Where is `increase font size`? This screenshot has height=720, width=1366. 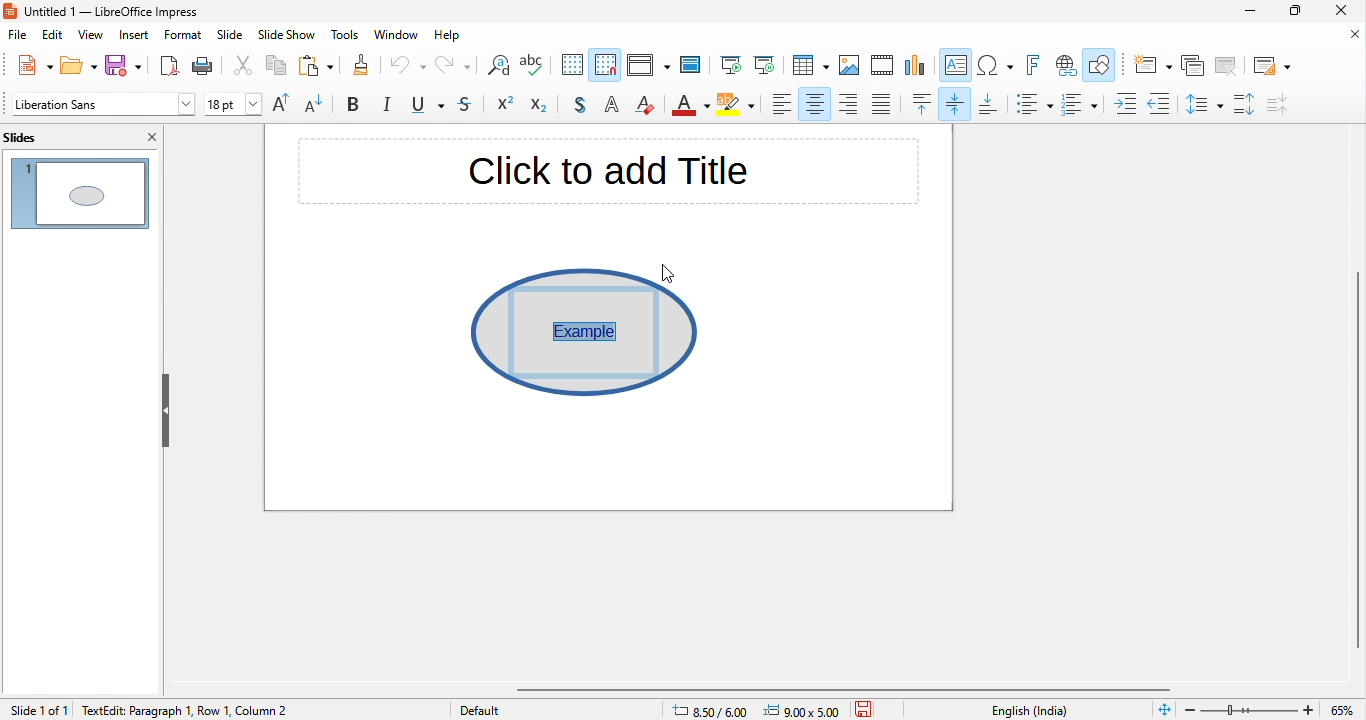 increase font size is located at coordinates (285, 105).